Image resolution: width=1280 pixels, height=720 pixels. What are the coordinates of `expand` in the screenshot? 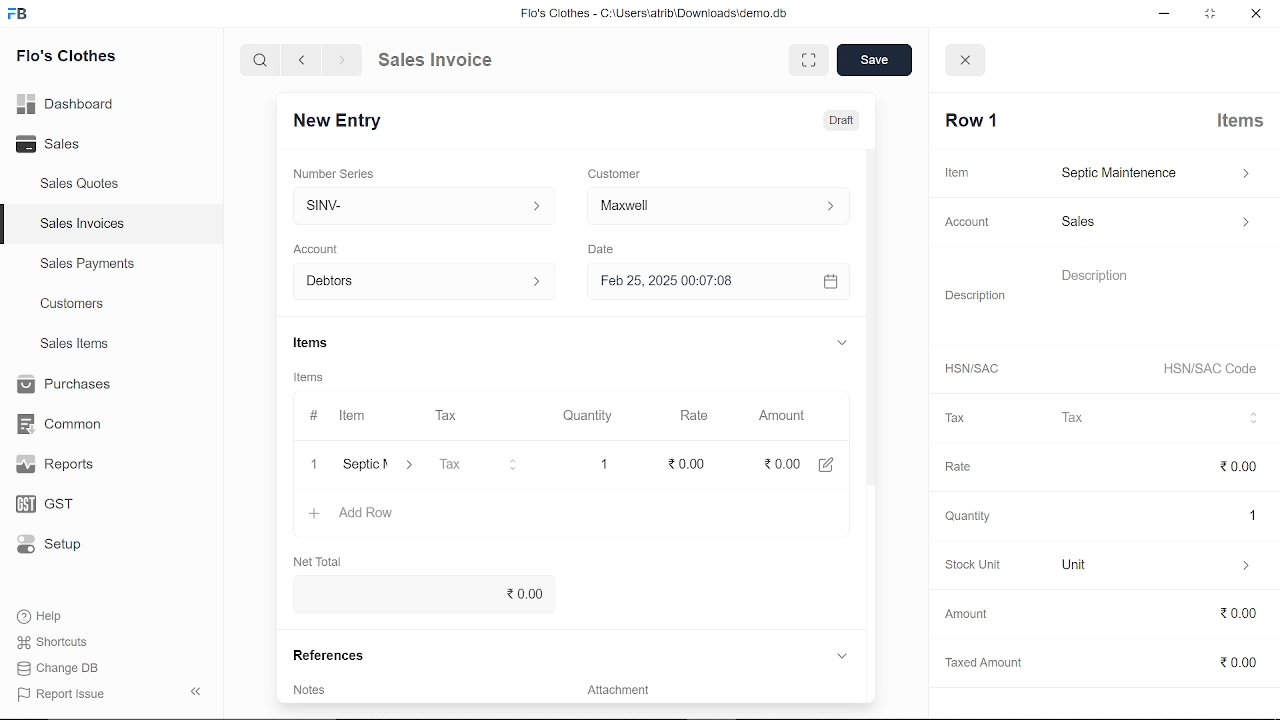 It's located at (805, 59).